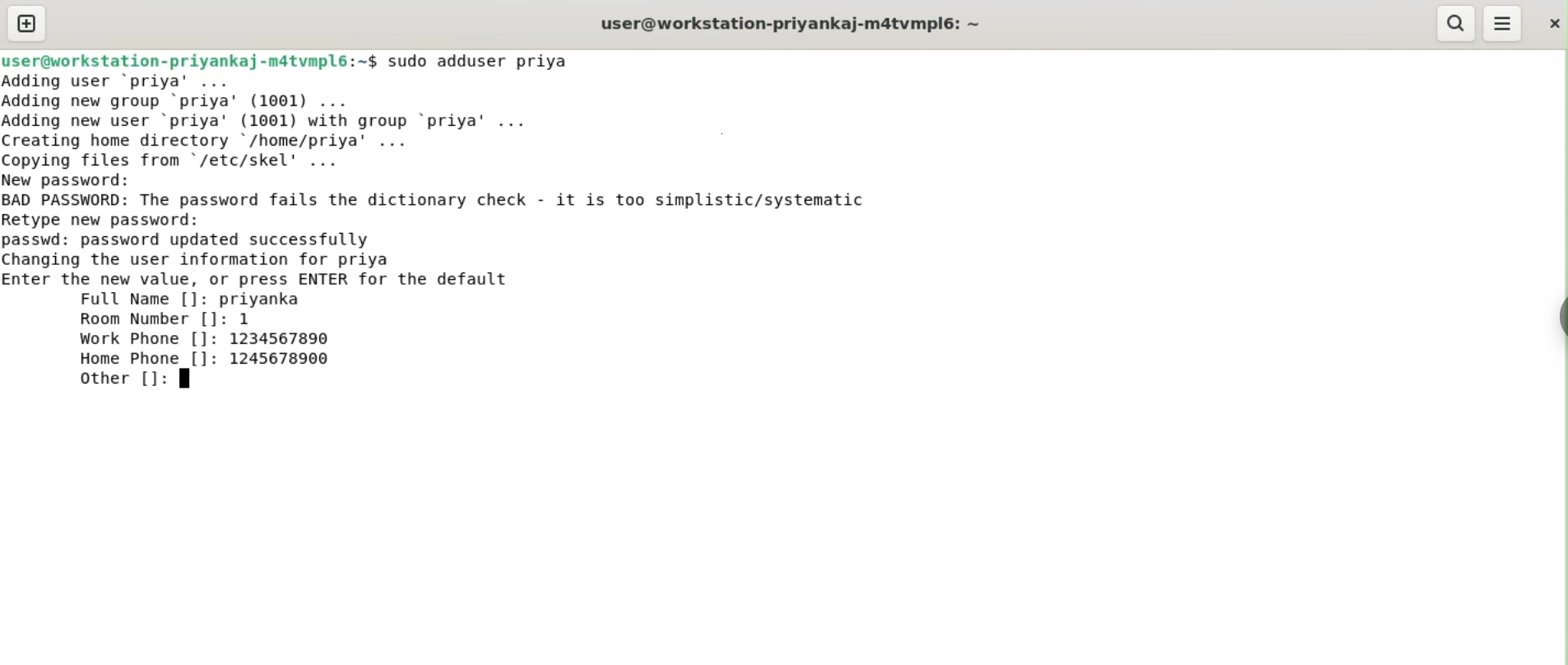 Image resolution: width=1568 pixels, height=665 pixels. I want to click on passwd: password updated successfullyChanging the user information for priyaEnter the new value, or press ENTER for the defaultFull Name []: priyankal , so click(258, 270).